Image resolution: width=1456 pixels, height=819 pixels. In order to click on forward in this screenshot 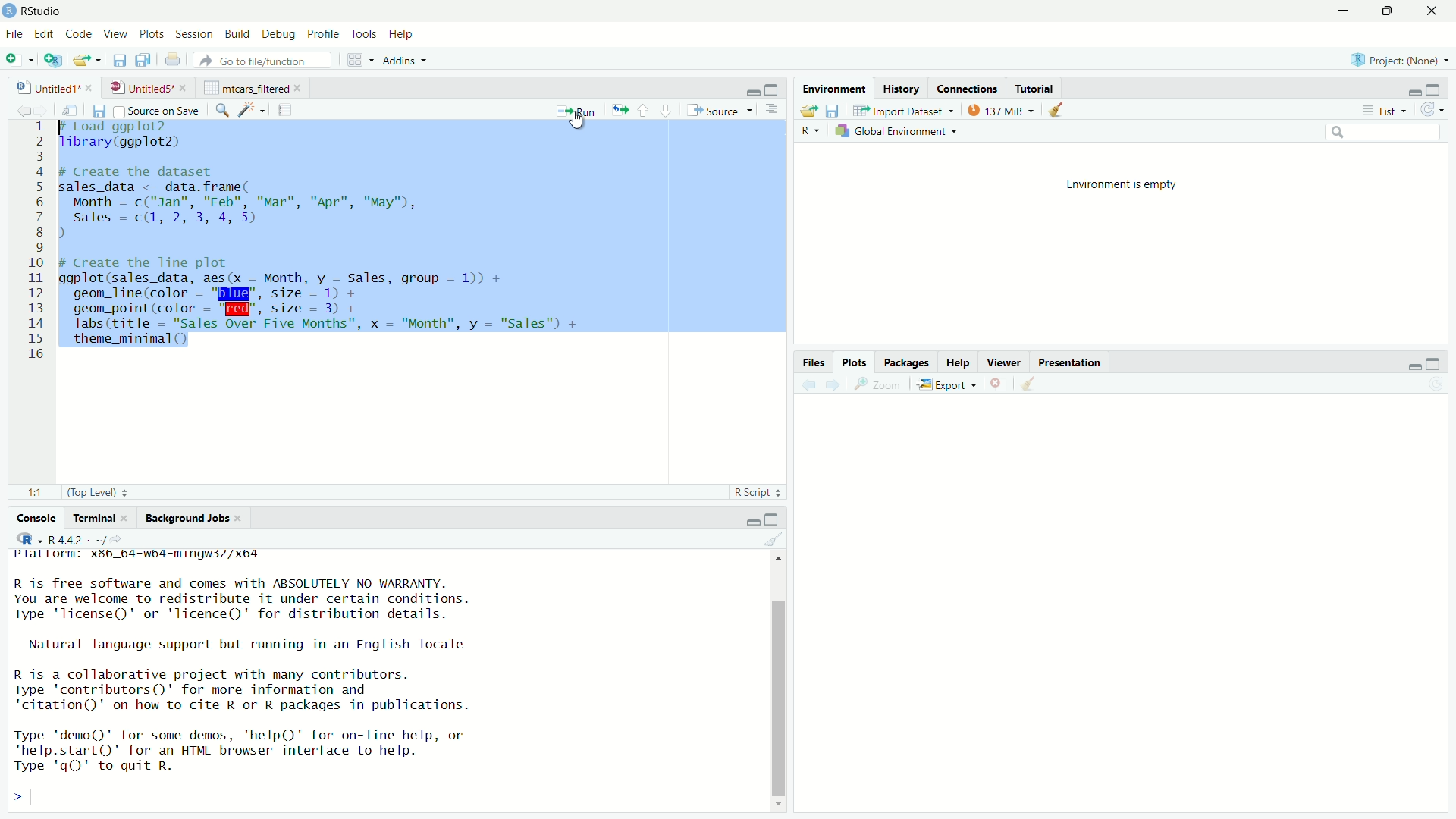, I will do `click(834, 385)`.